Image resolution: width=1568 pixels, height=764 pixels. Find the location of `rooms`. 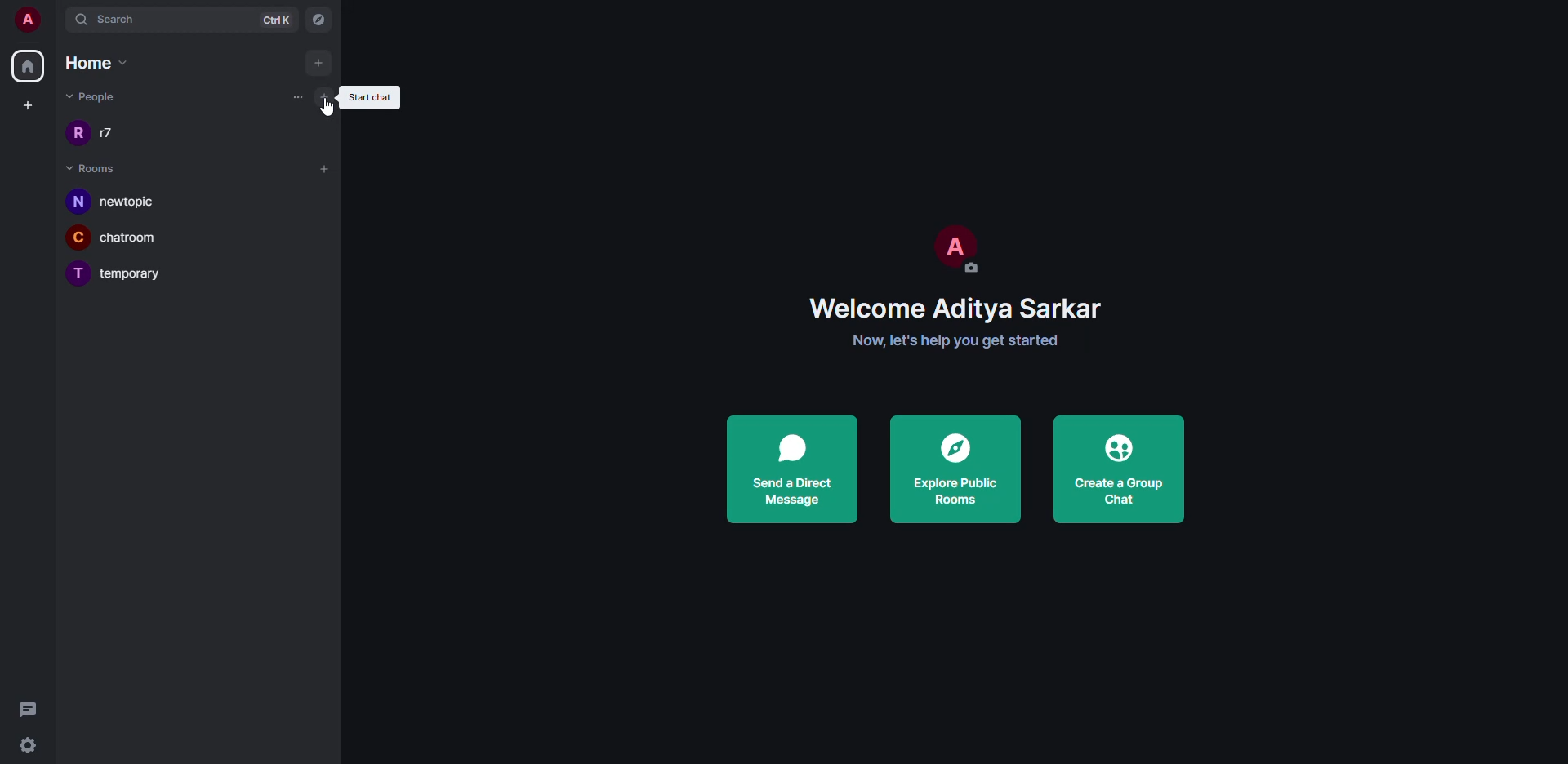

rooms is located at coordinates (91, 169).